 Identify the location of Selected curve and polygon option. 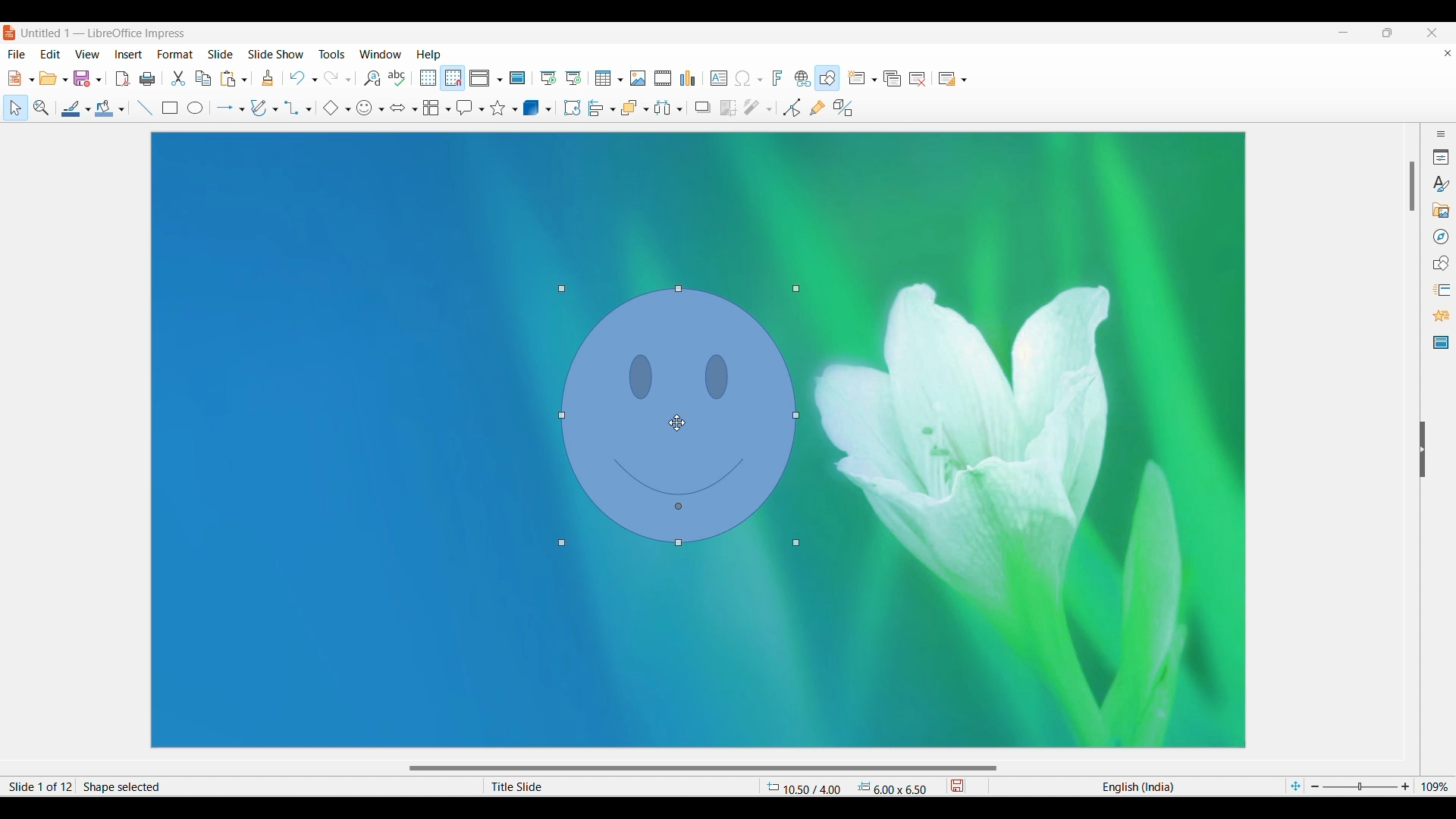
(259, 108).